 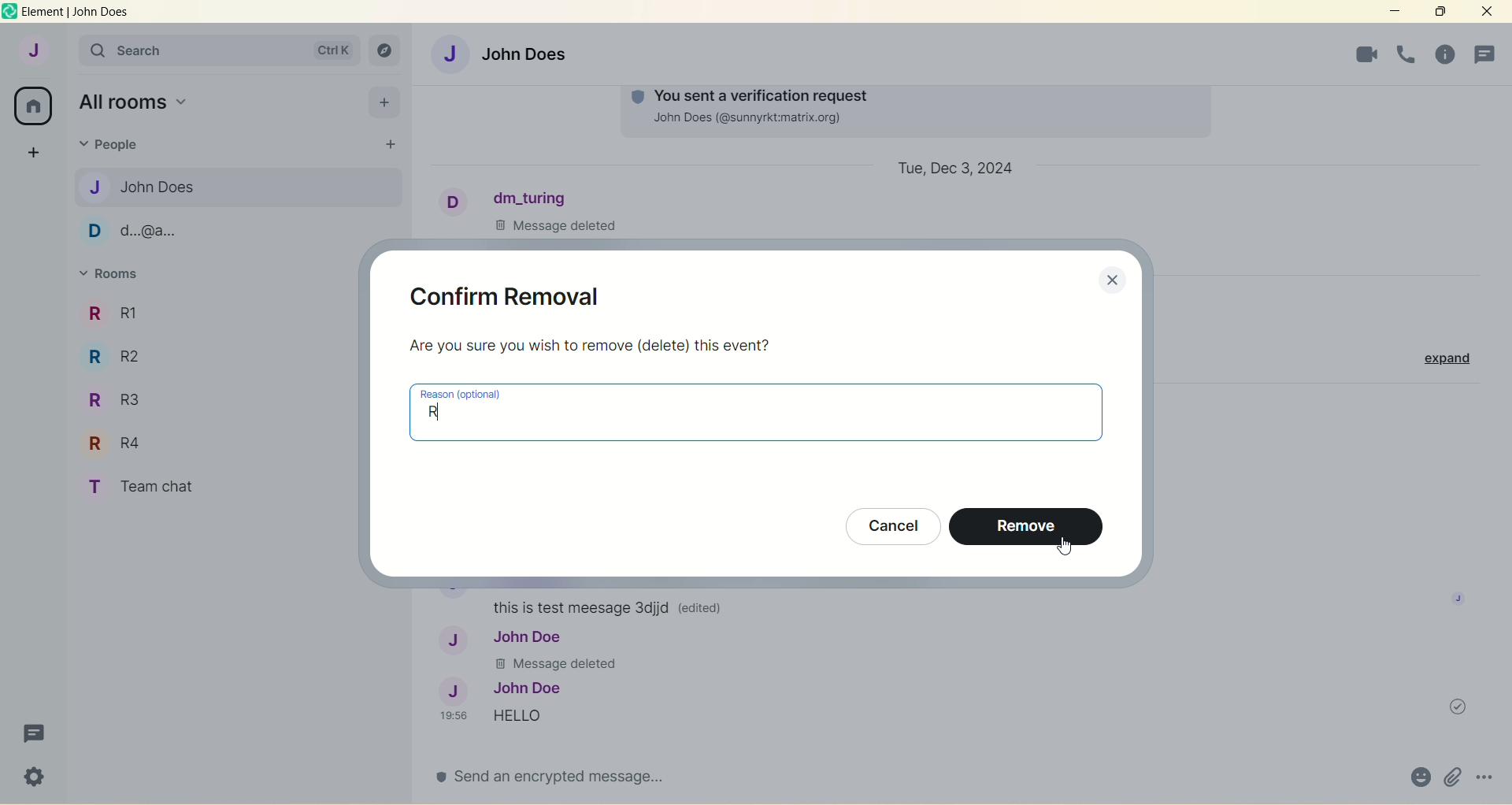 What do you see at coordinates (559, 783) in the screenshot?
I see `send an encrypted message...` at bounding box center [559, 783].